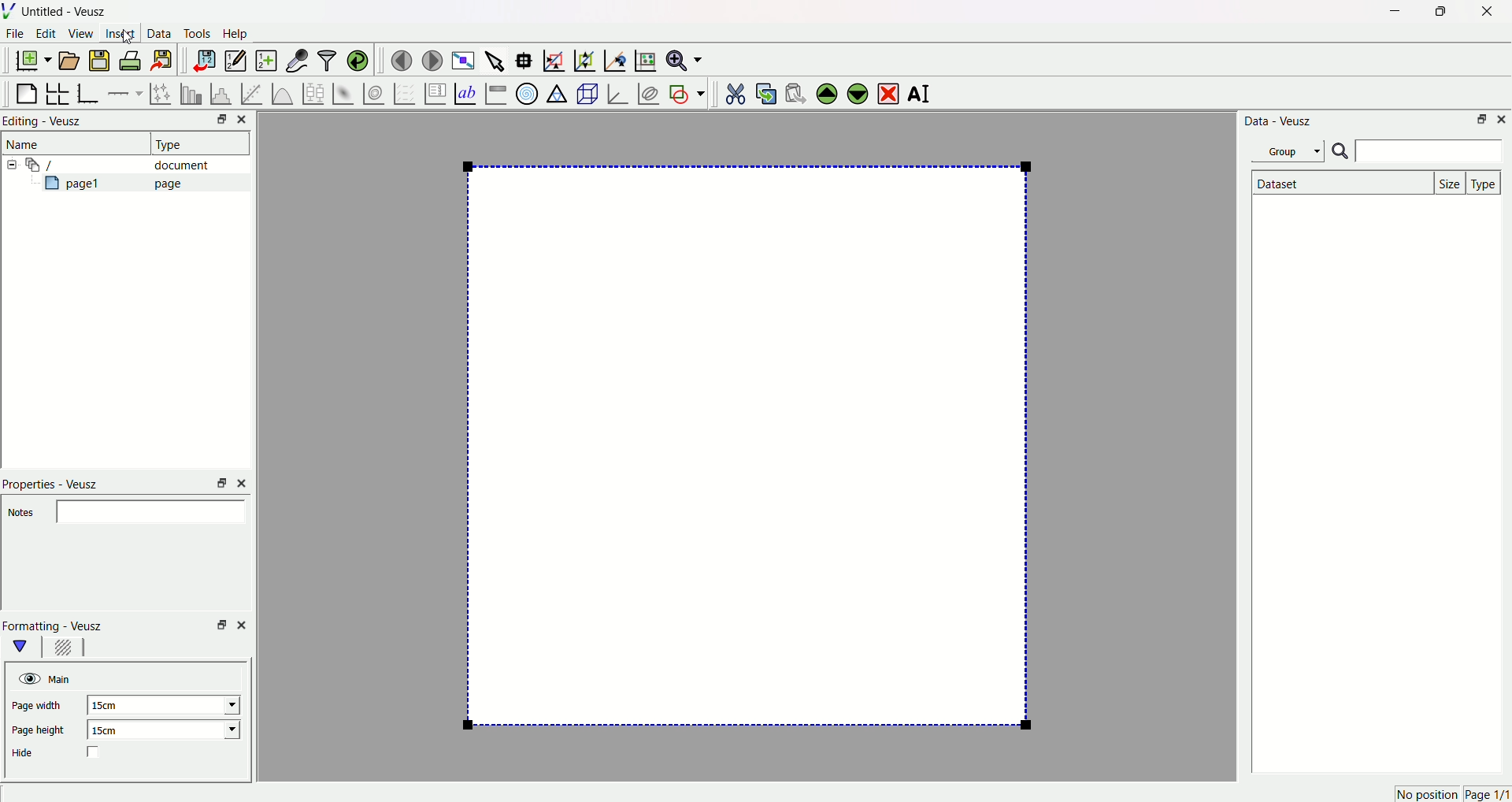 The image size is (1512, 802). What do you see at coordinates (242, 623) in the screenshot?
I see `close` at bounding box center [242, 623].